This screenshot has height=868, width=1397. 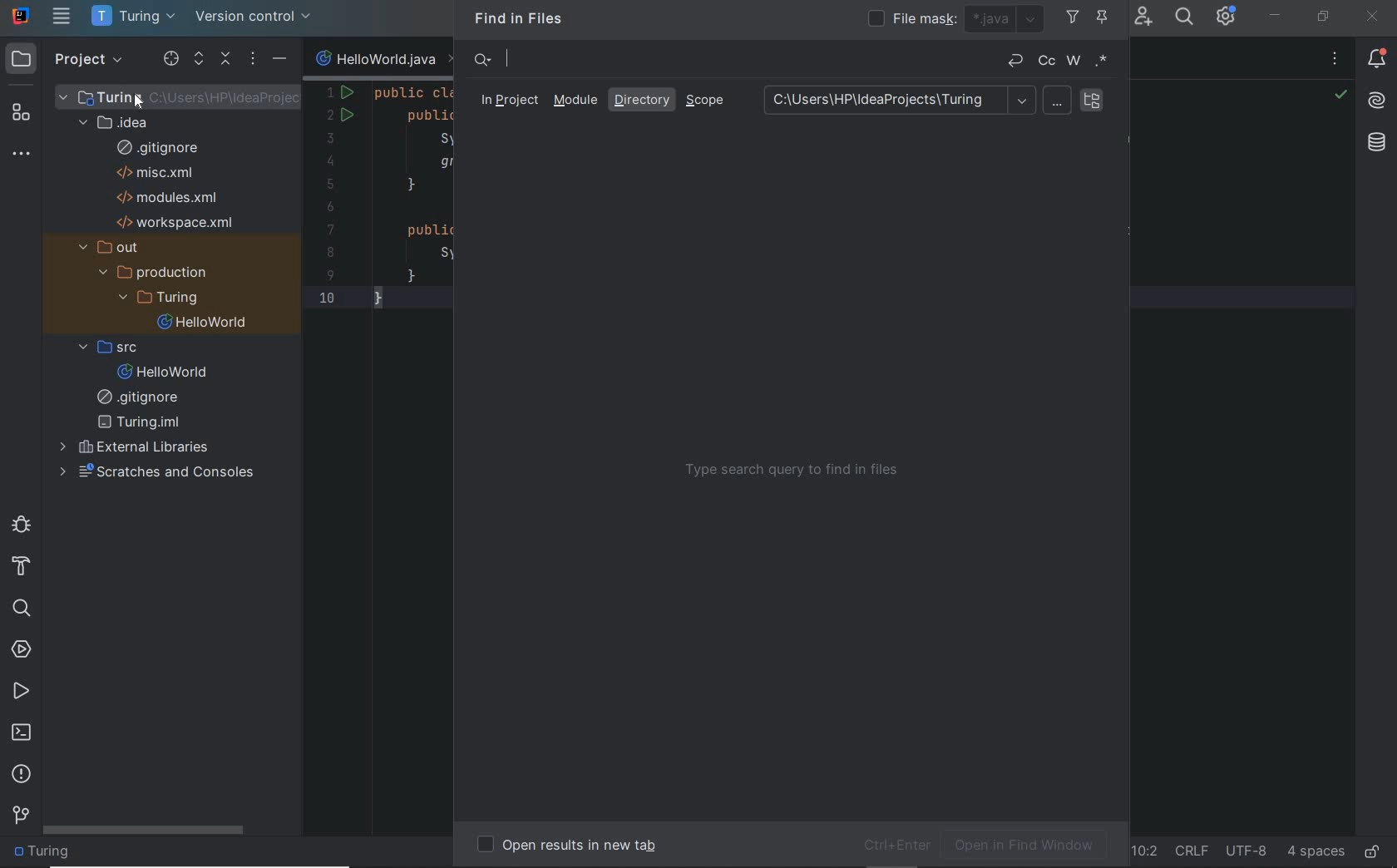 I want to click on shift+enter, so click(x=1059, y=101).